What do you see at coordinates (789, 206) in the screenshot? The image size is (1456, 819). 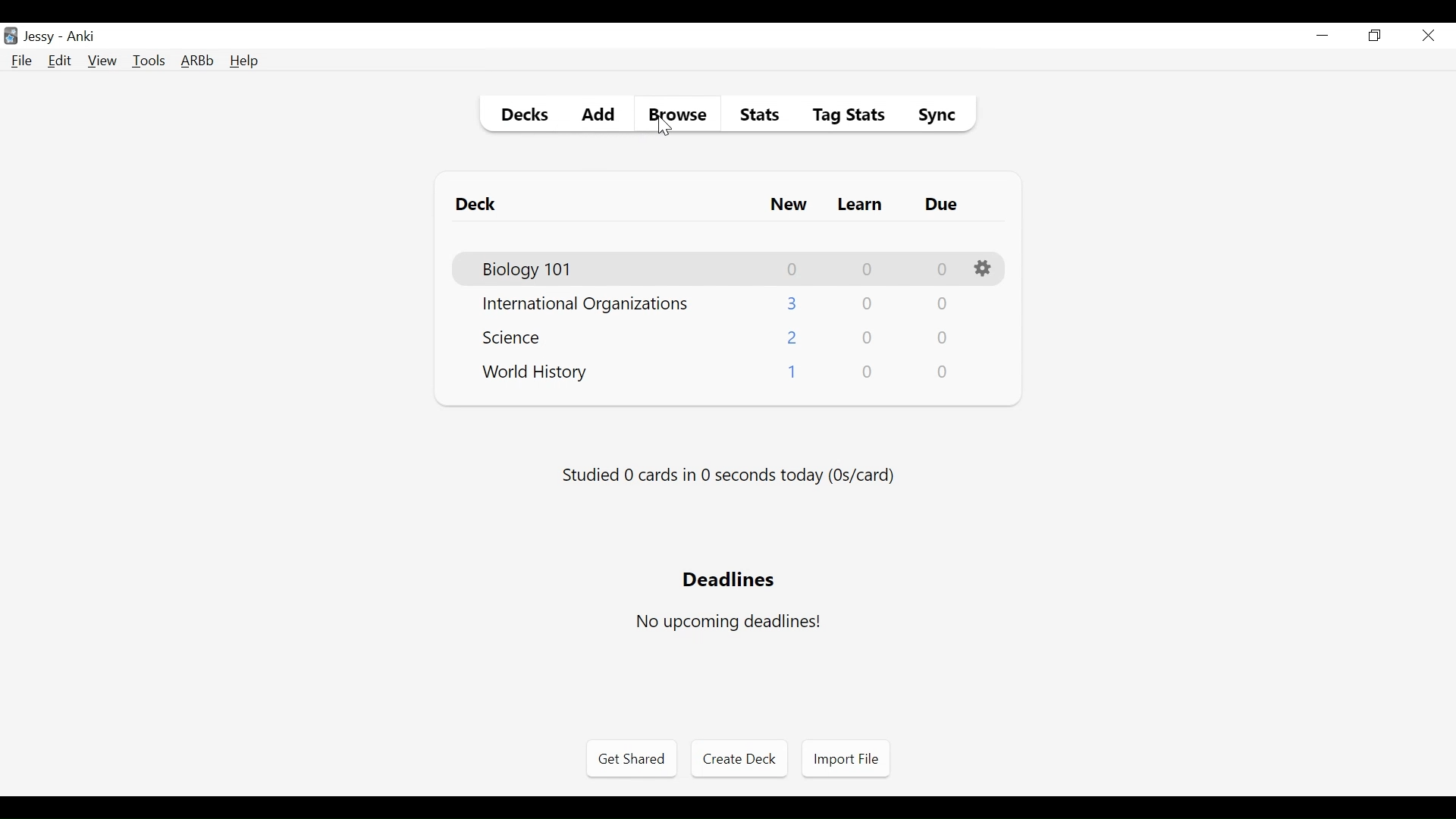 I see `New` at bounding box center [789, 206].